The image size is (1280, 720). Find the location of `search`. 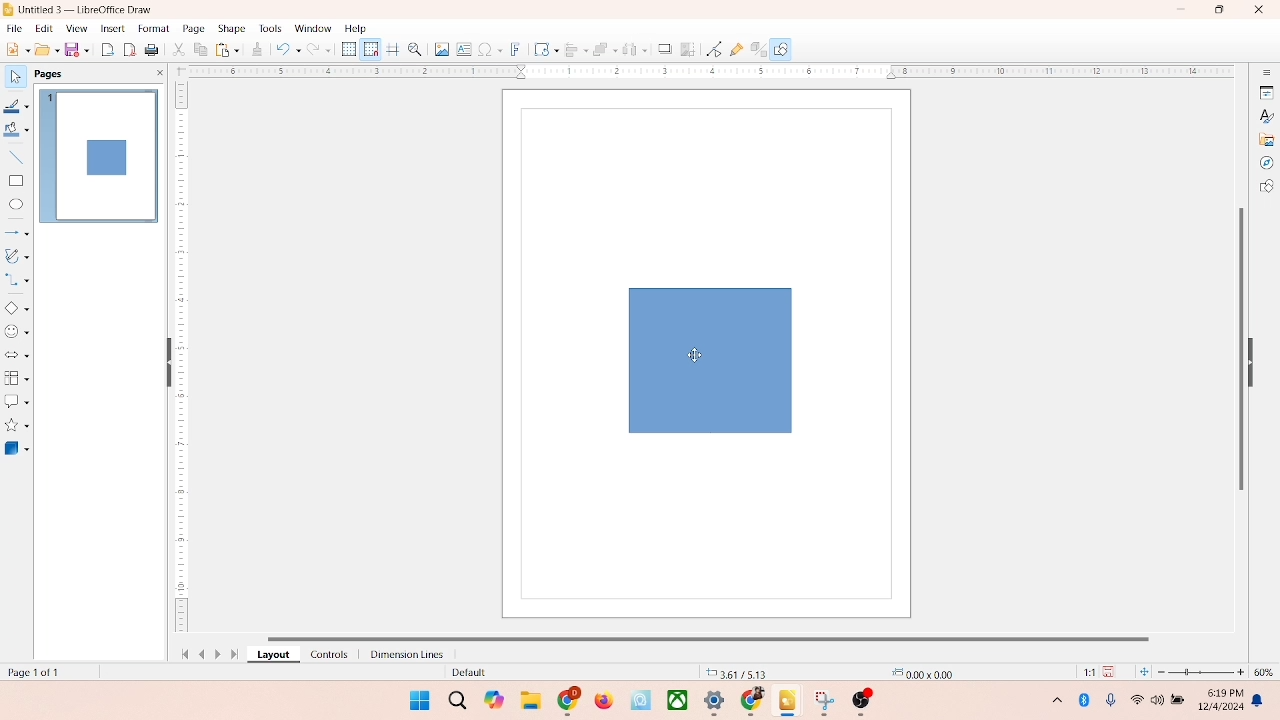

search is located at coordinates (458, 701).